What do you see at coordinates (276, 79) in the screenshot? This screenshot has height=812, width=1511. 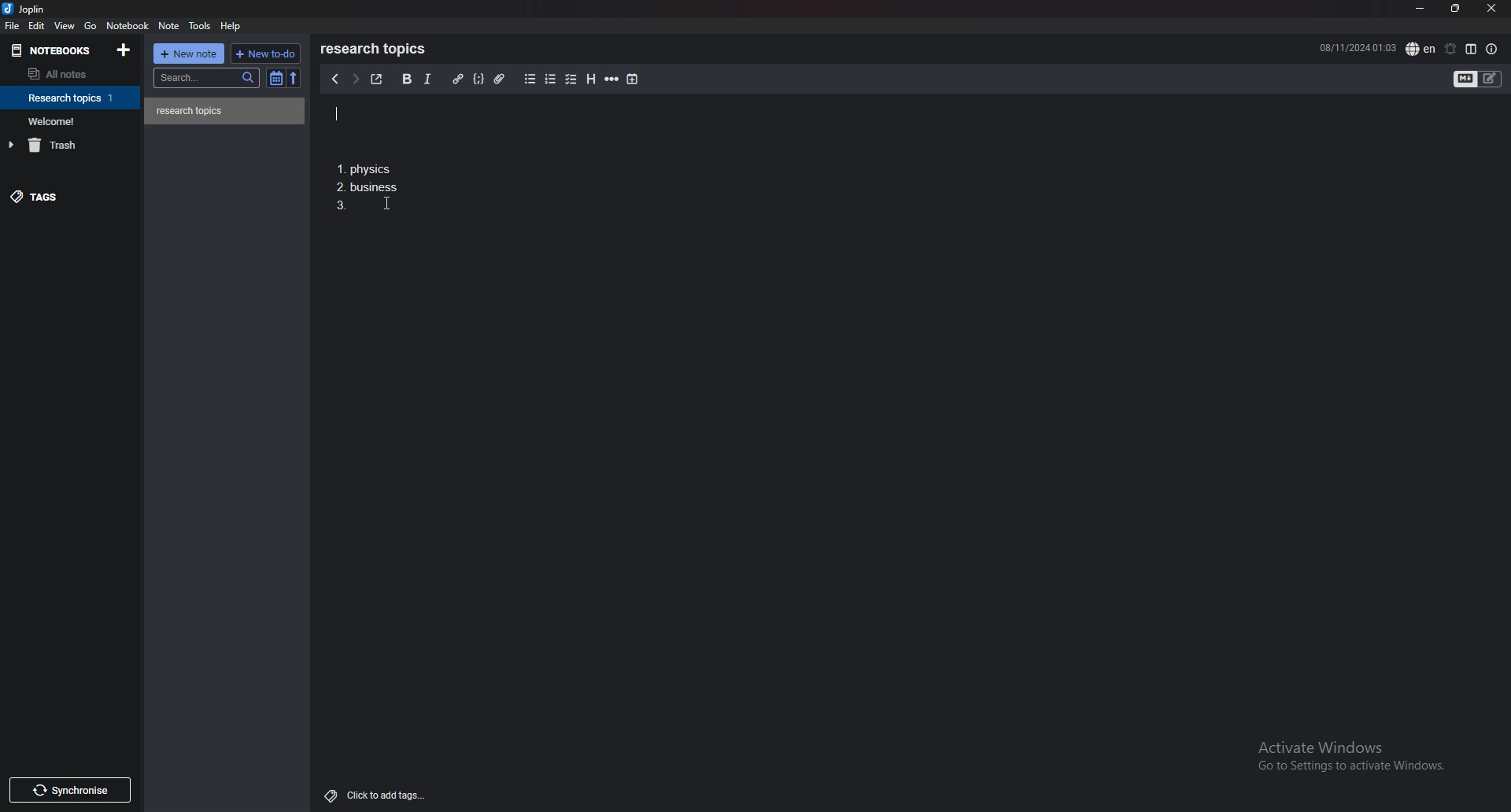 I see `toggle sort order` at bounding box center [276, 79].